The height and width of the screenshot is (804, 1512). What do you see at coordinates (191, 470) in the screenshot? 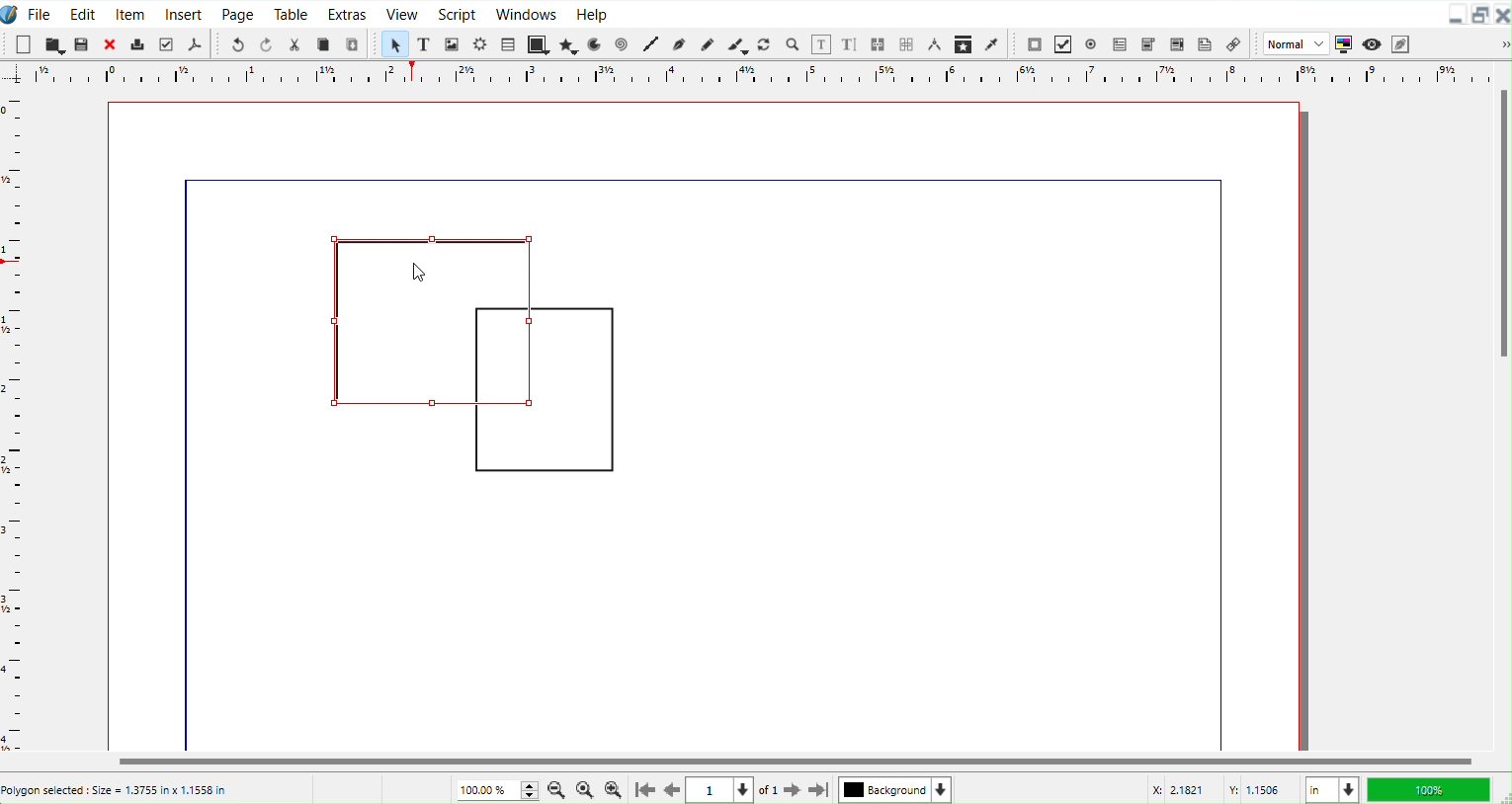
I see `line` at bounding box center [191, 470].